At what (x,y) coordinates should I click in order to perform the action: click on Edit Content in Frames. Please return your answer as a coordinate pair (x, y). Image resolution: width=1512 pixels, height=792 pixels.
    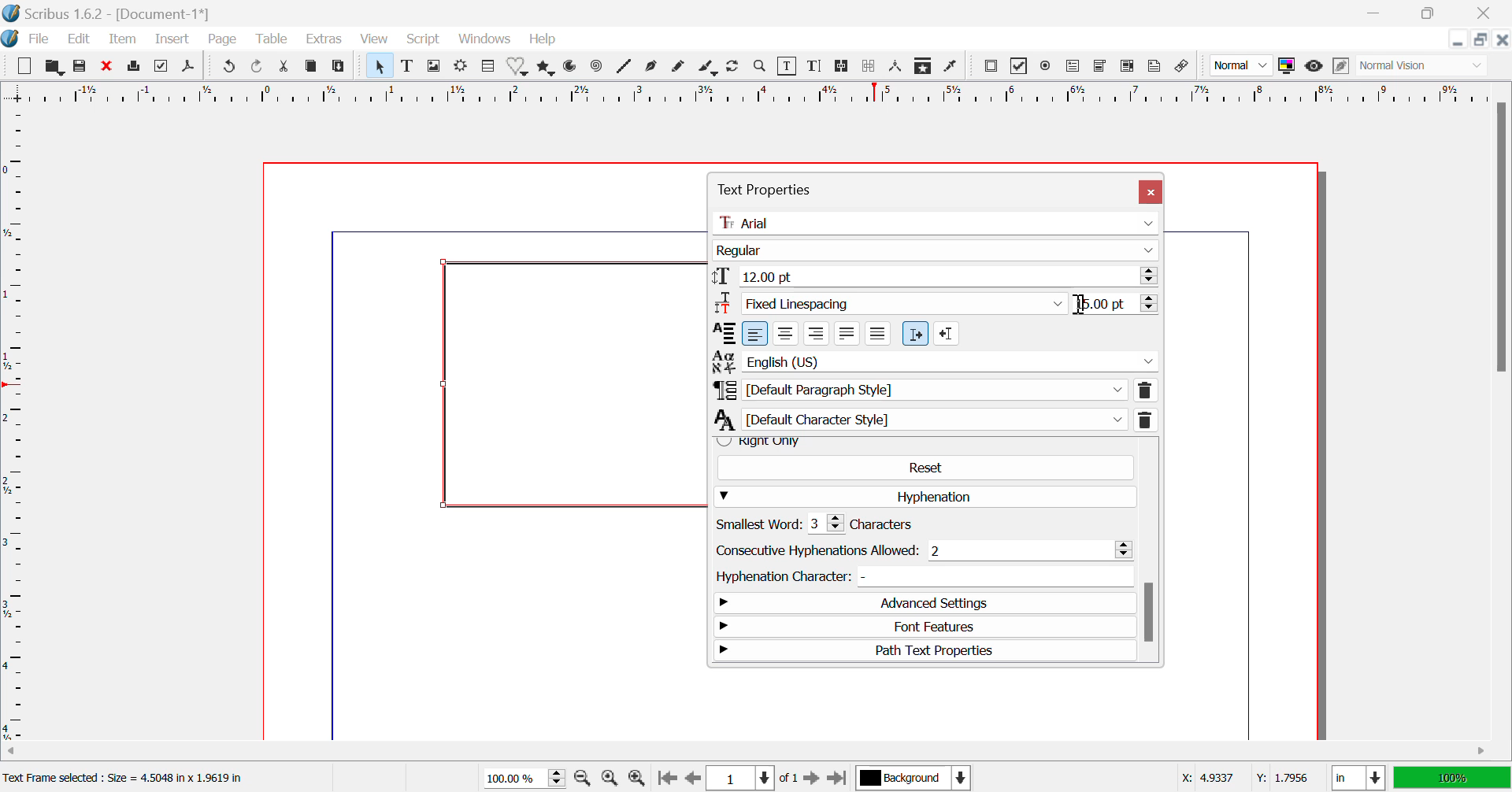
    Looking at the image, I should click on (790, 66).